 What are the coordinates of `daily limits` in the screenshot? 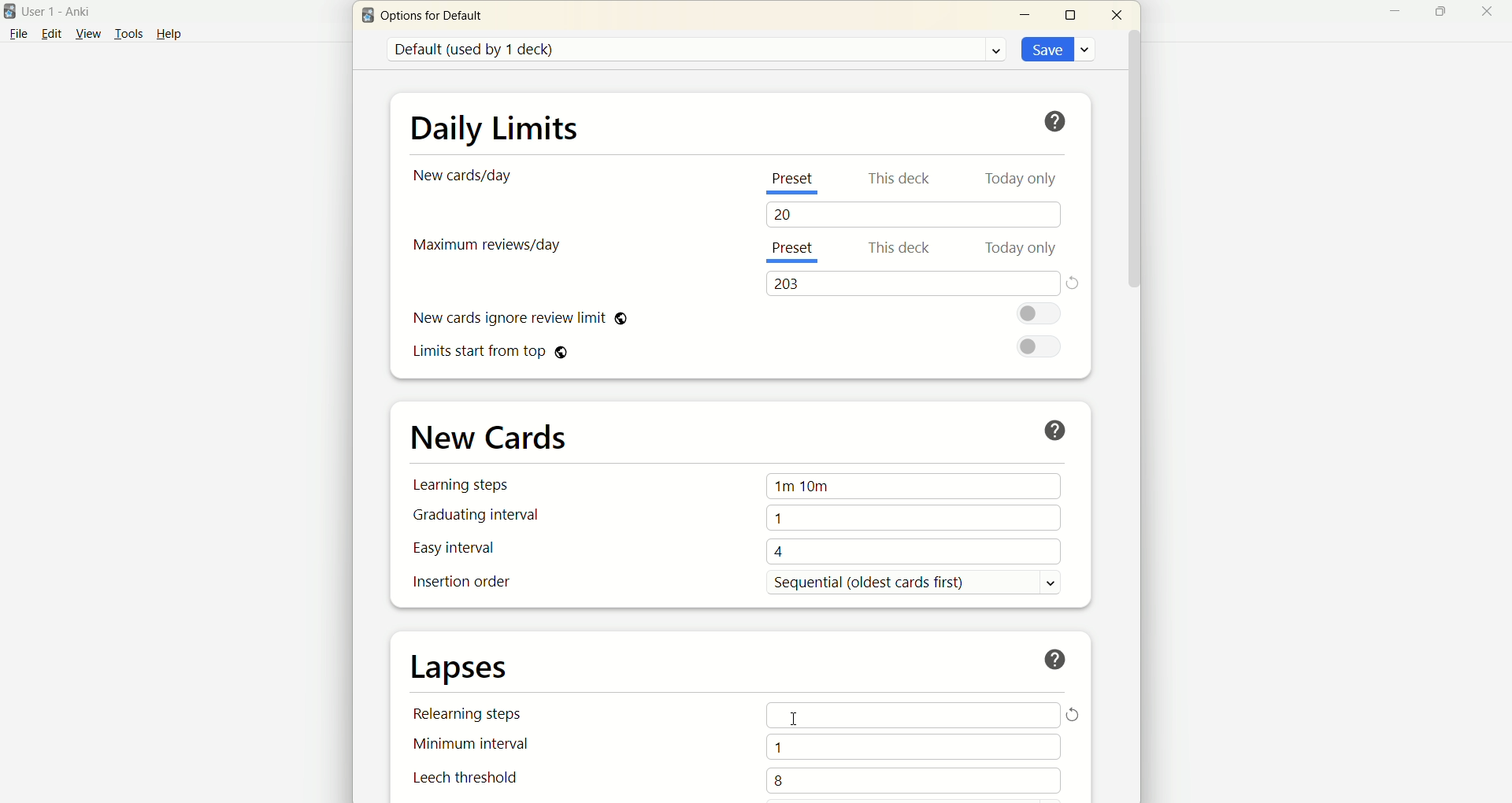 It's located at (492, 126).